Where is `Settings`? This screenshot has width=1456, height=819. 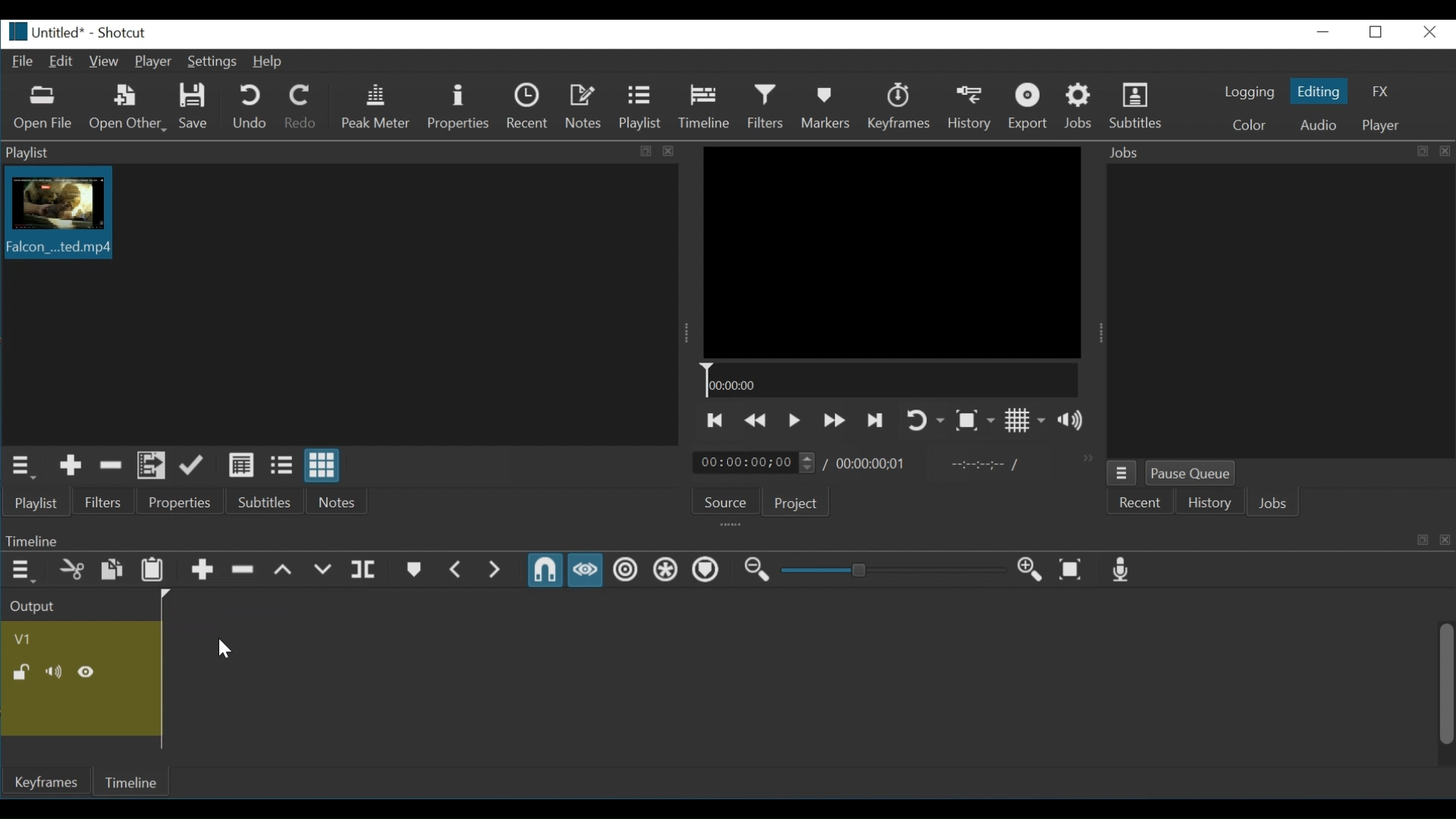 Settings is located at coordinates (212, 61).